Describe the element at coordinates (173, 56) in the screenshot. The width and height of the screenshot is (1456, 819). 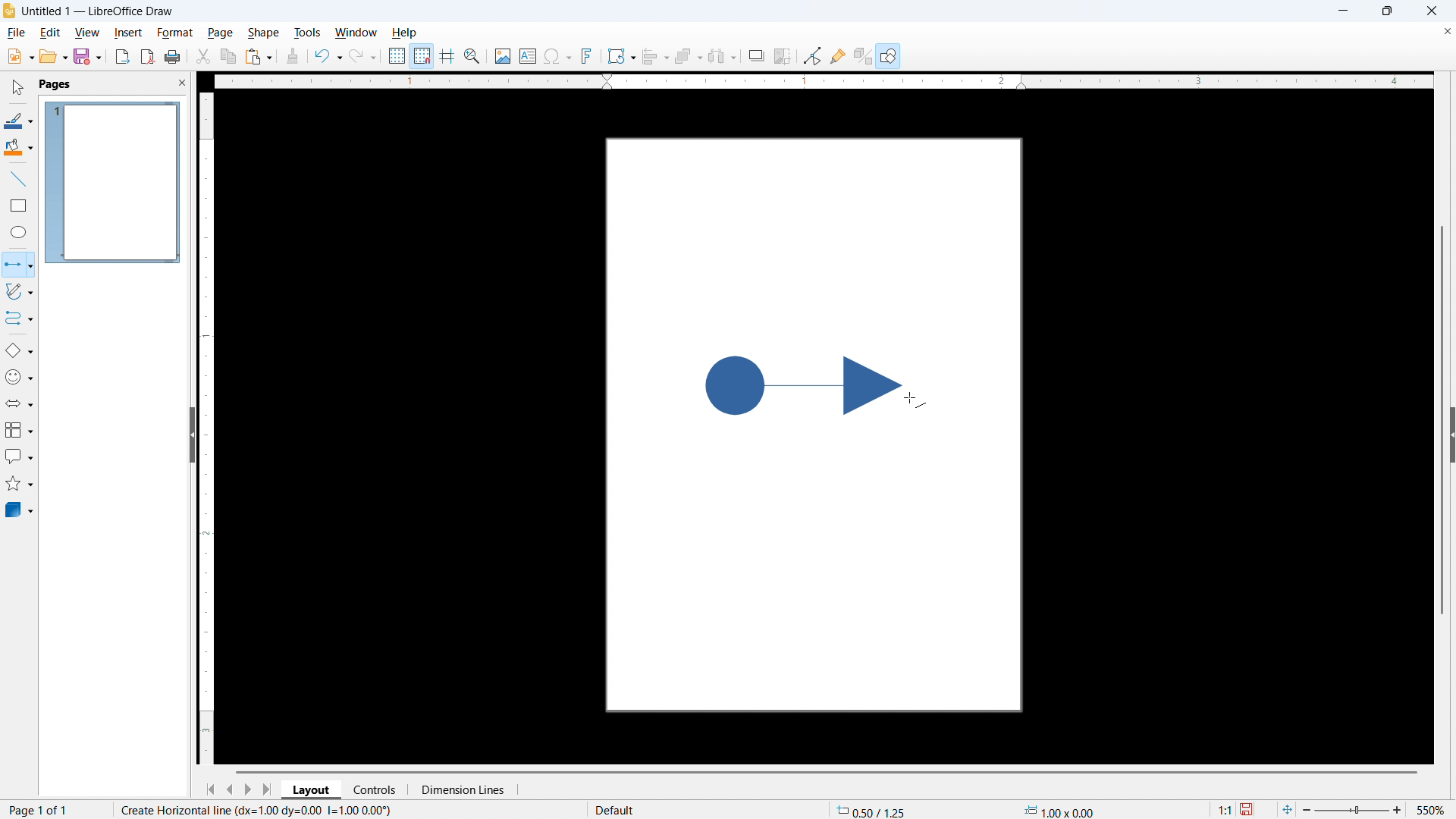
I see `print ` at that location.